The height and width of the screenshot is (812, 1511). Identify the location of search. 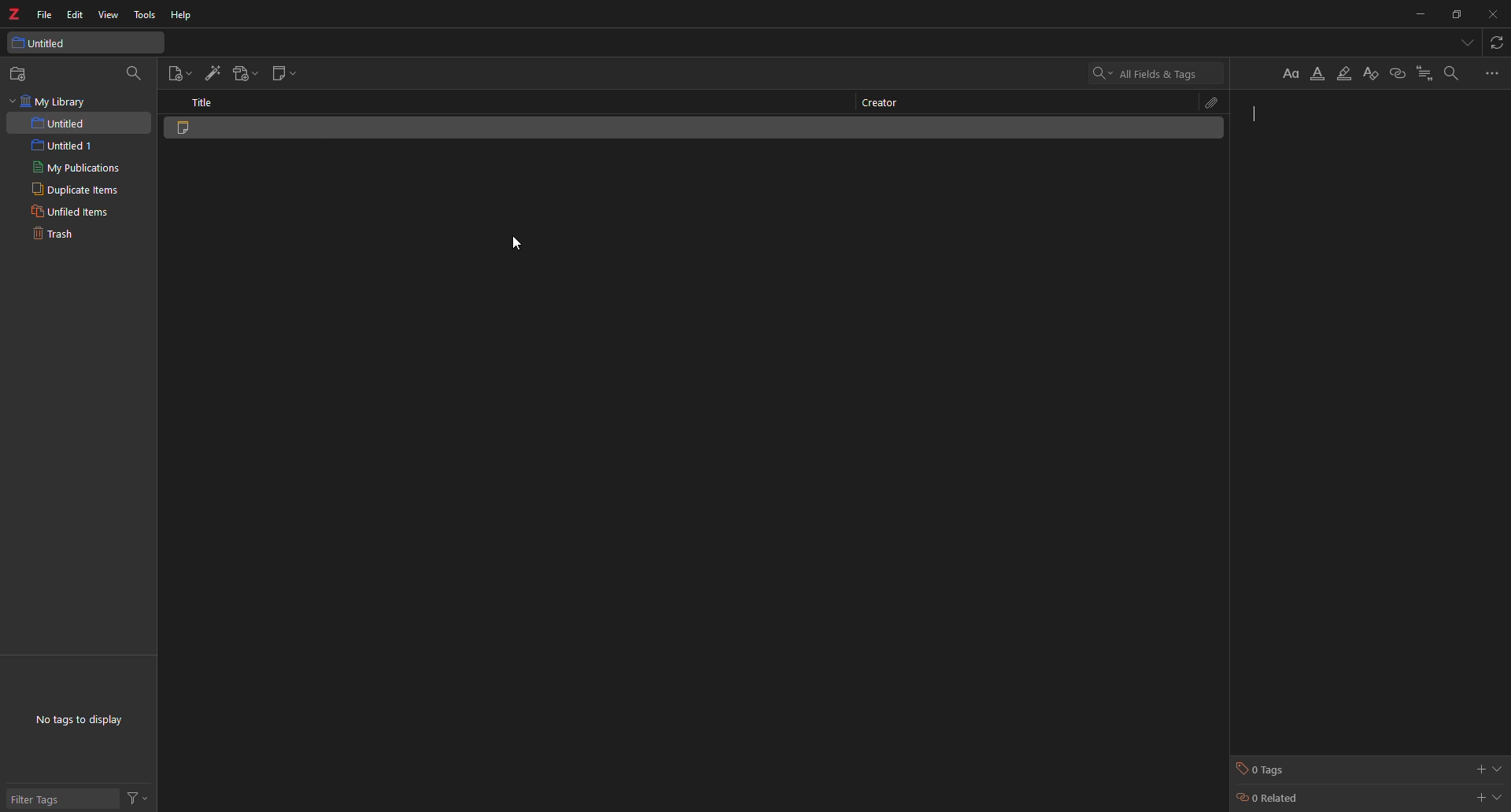
(135, 75).